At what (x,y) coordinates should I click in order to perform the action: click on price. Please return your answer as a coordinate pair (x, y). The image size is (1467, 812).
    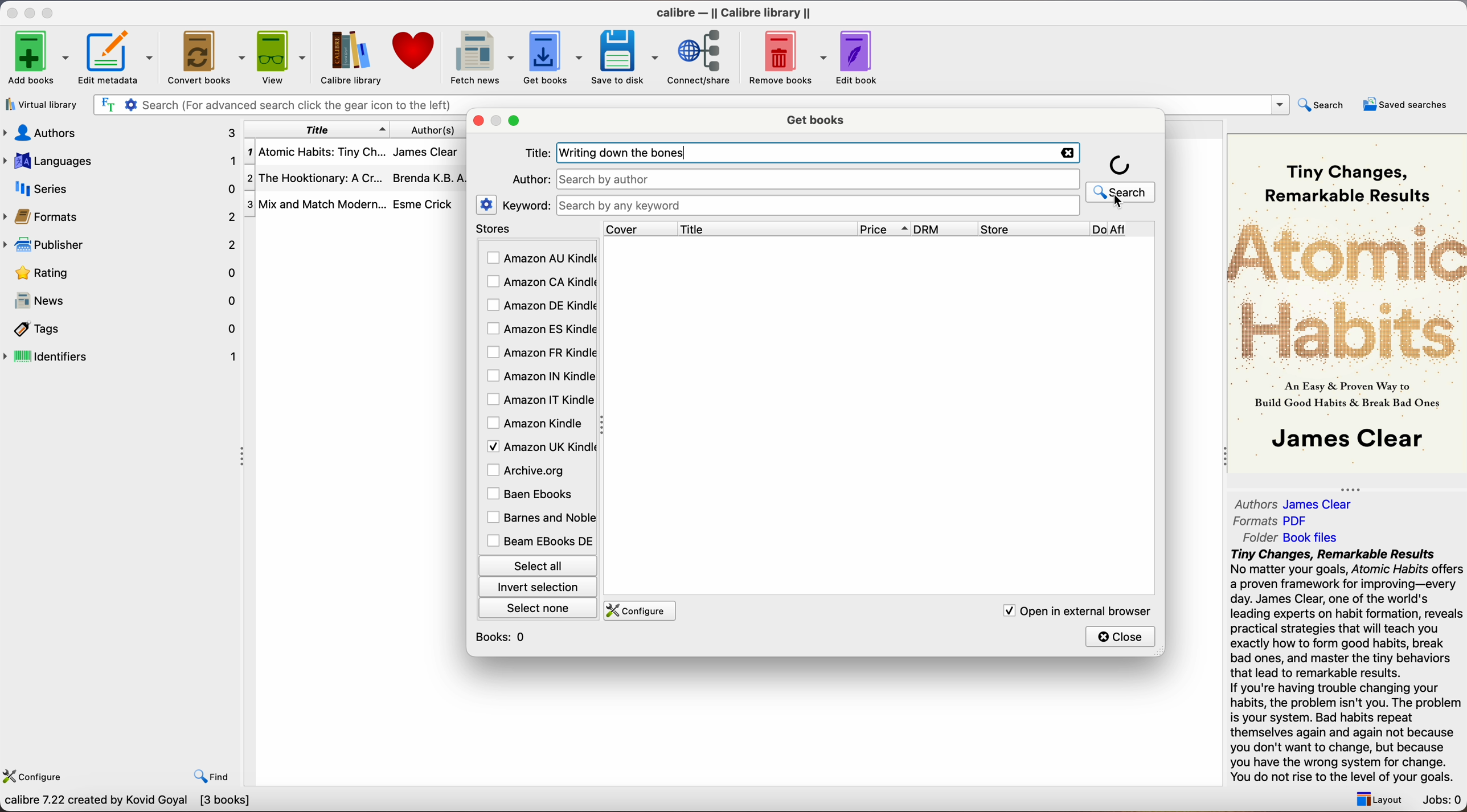
    Looking at the image, I should click on (884, 229).